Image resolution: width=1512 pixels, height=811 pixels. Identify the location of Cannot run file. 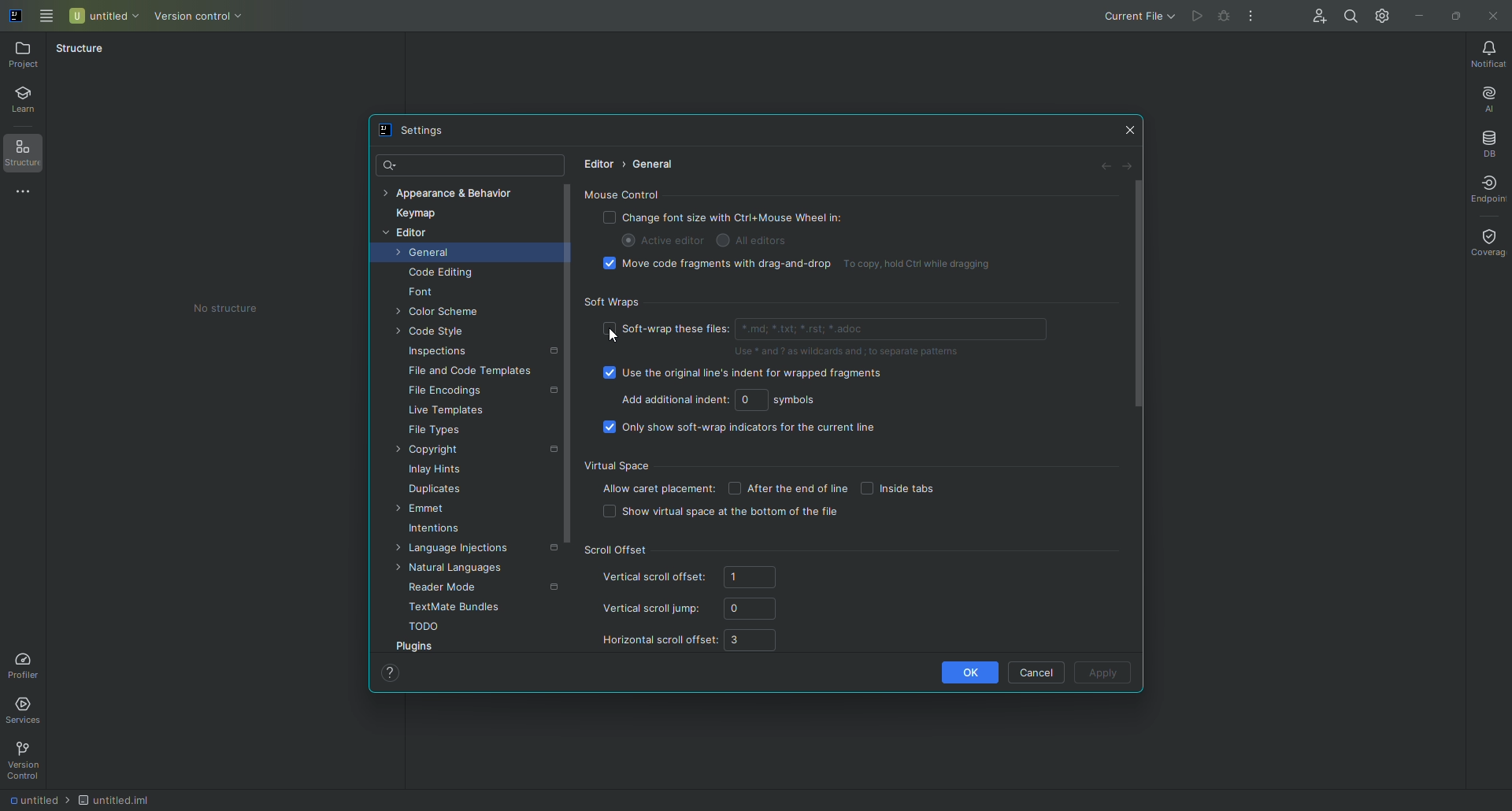
(1226, 13).